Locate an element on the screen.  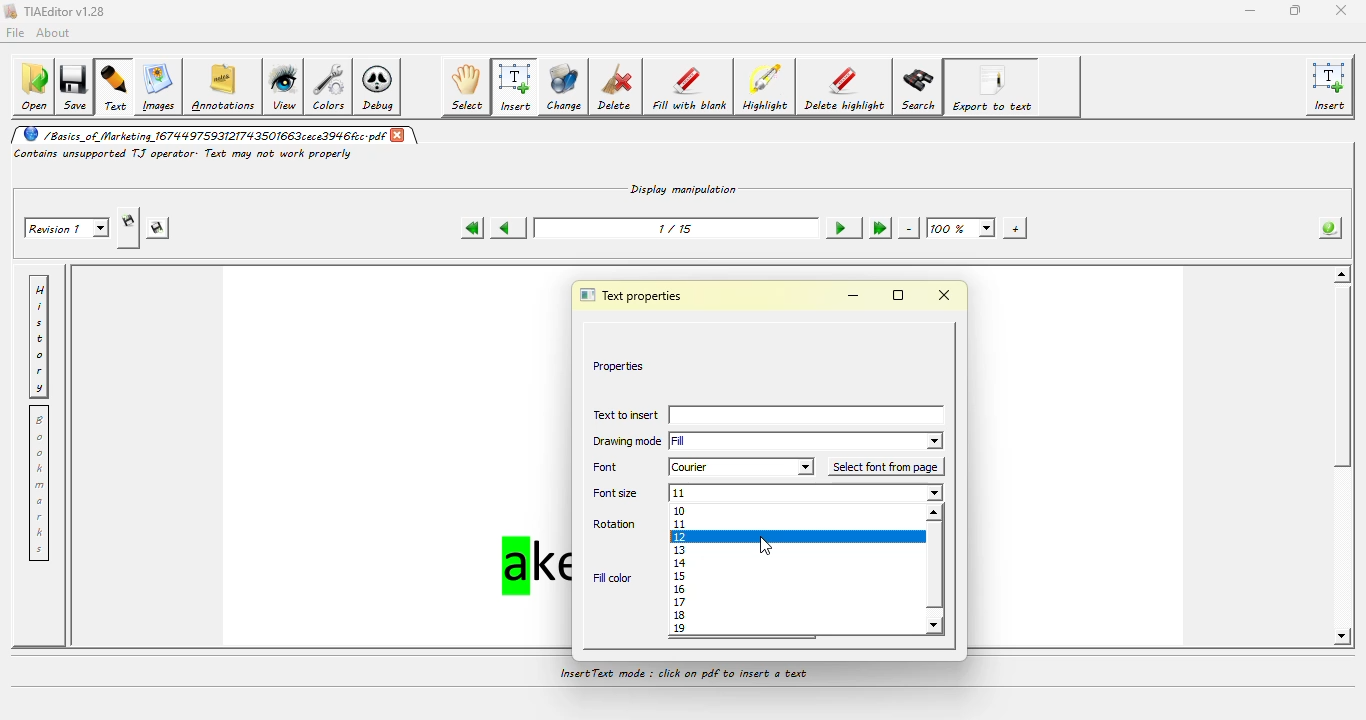
previous page is located at coordinates (506, 226).